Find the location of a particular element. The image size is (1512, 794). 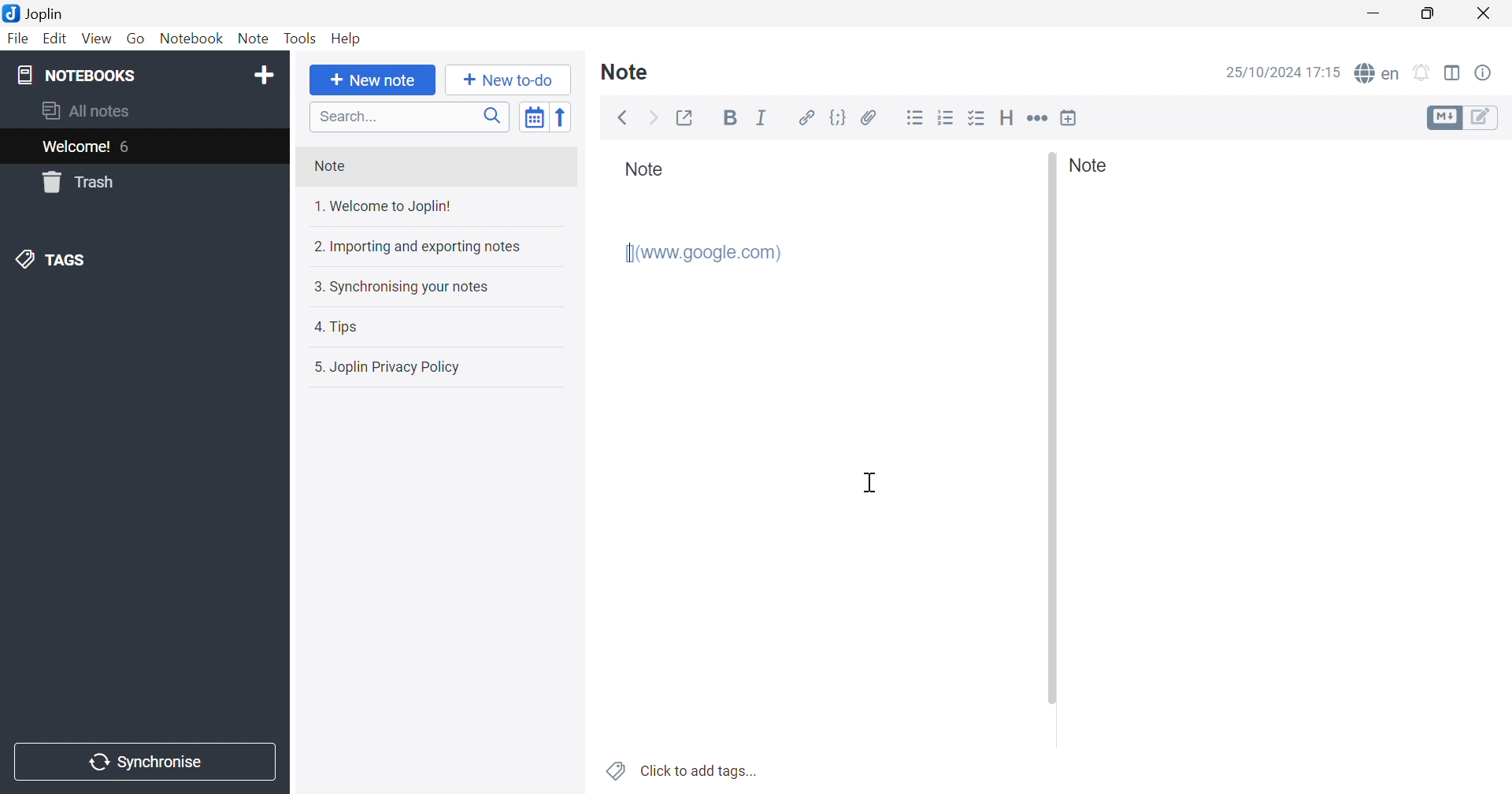

Click to add tags... is located at coordinates (680, 770).